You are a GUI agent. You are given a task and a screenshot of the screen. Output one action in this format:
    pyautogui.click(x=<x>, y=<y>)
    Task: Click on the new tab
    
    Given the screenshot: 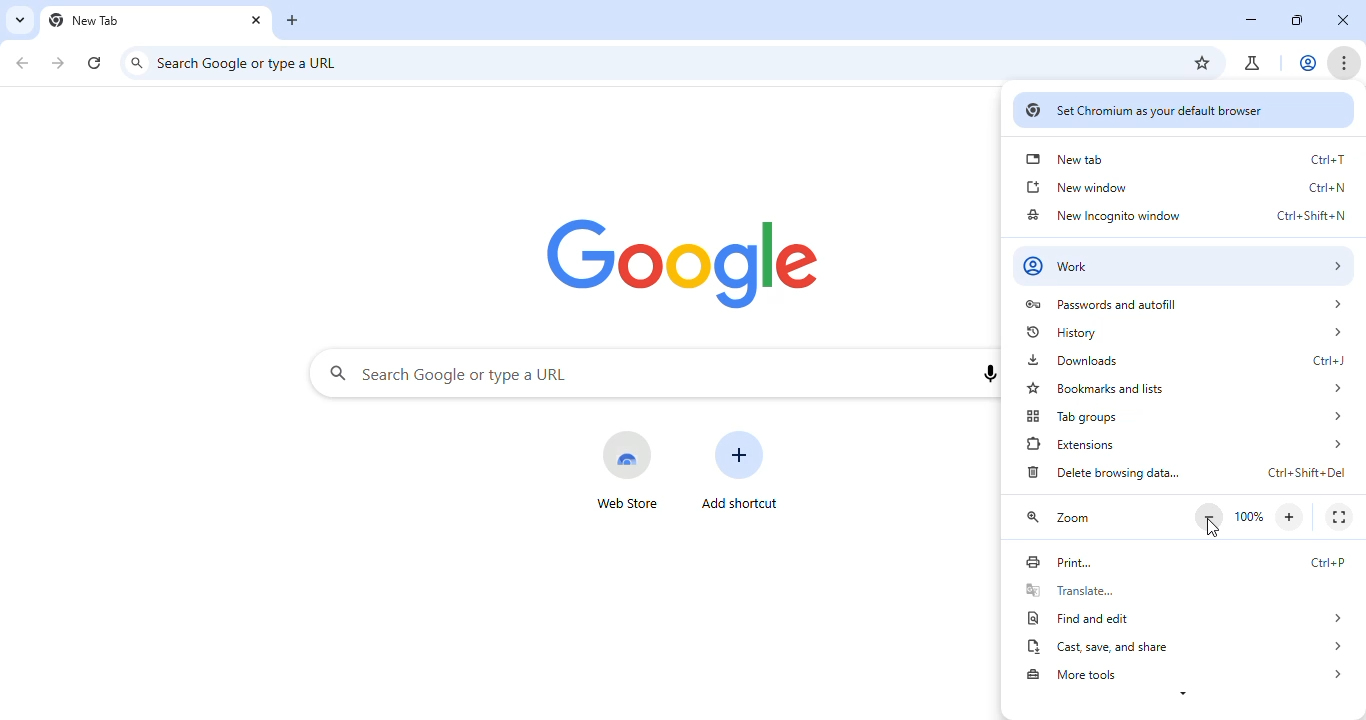 What is the action you would take?
    pyautogui.click(x=1186, y=159)
    